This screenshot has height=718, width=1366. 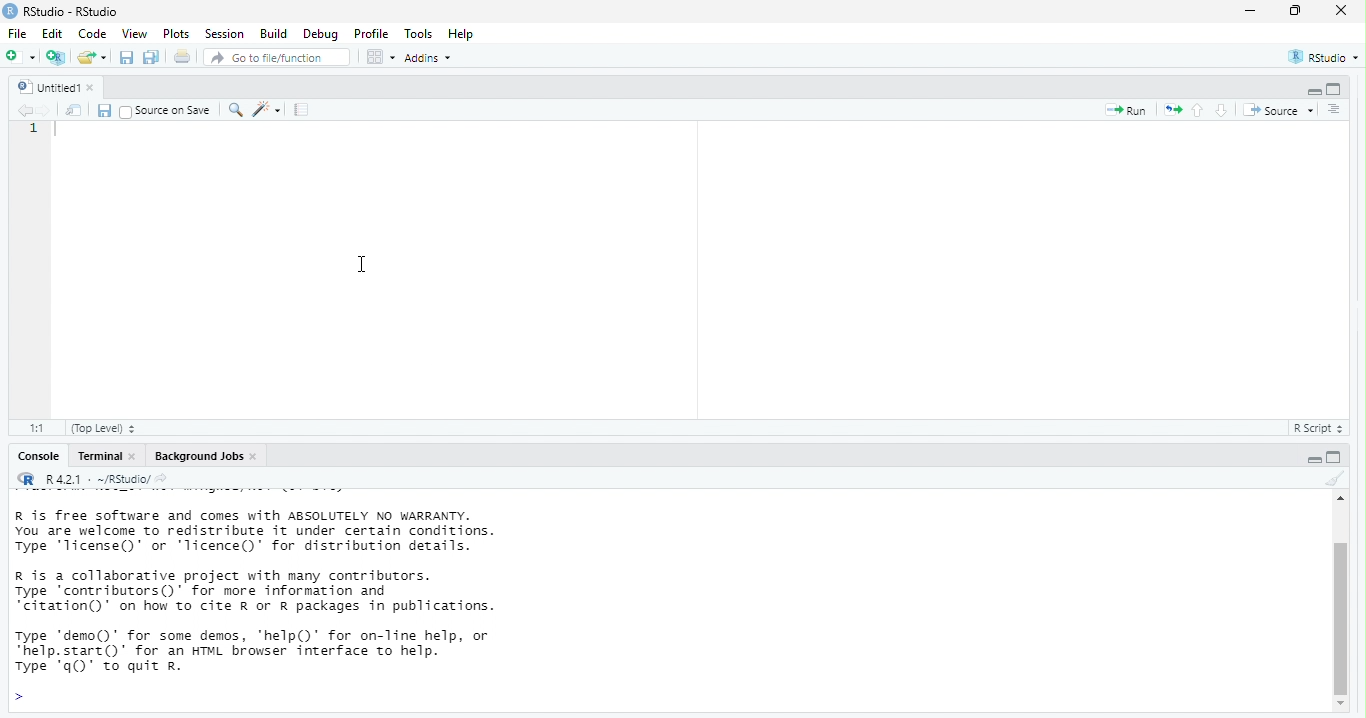 What do you see at coordinates (1172, 111) in the screenshot?
I see `re-run the previous code region` at bounding box center [1172, 111].